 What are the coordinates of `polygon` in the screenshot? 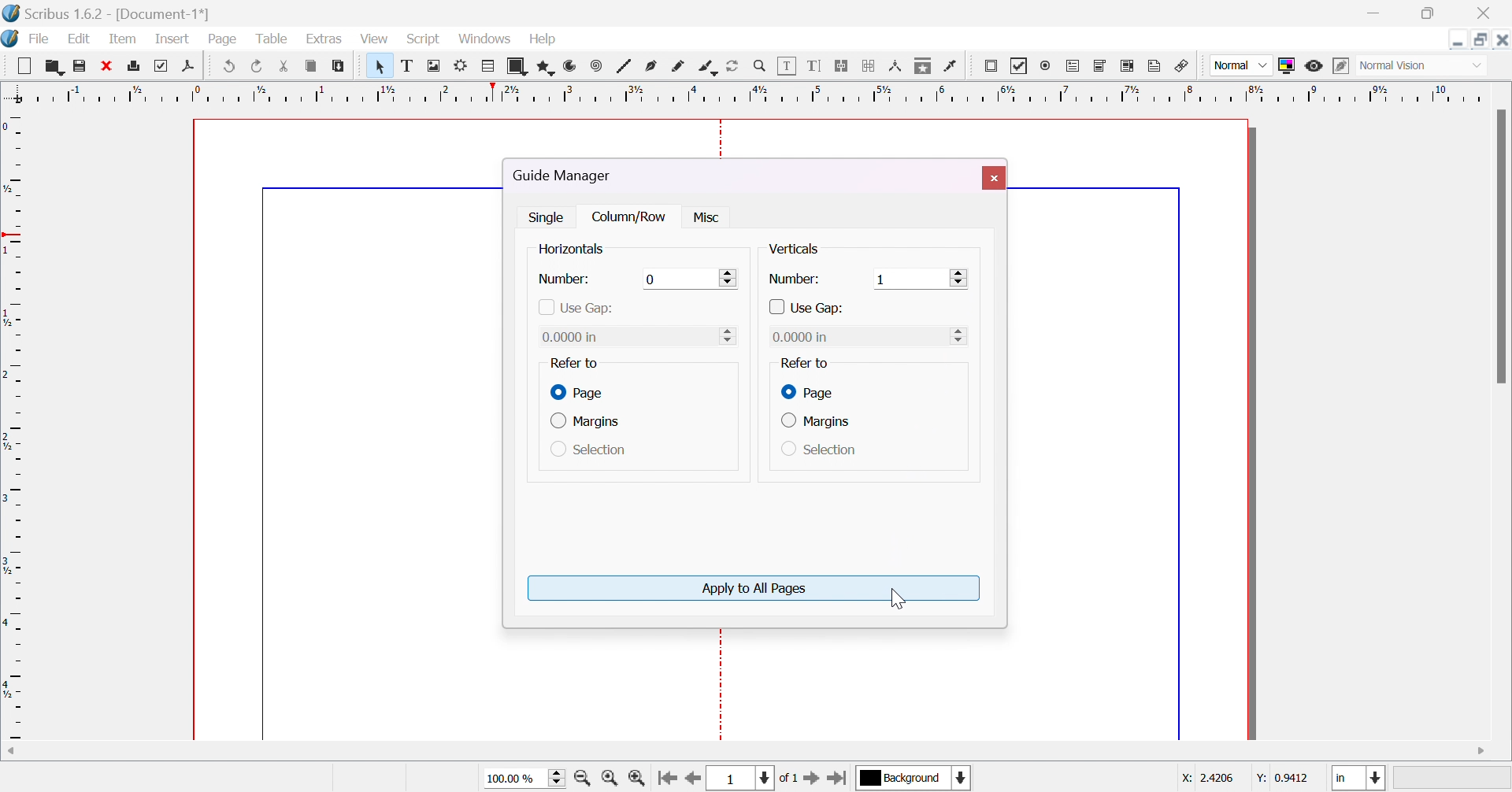 It's located at (548, 65).